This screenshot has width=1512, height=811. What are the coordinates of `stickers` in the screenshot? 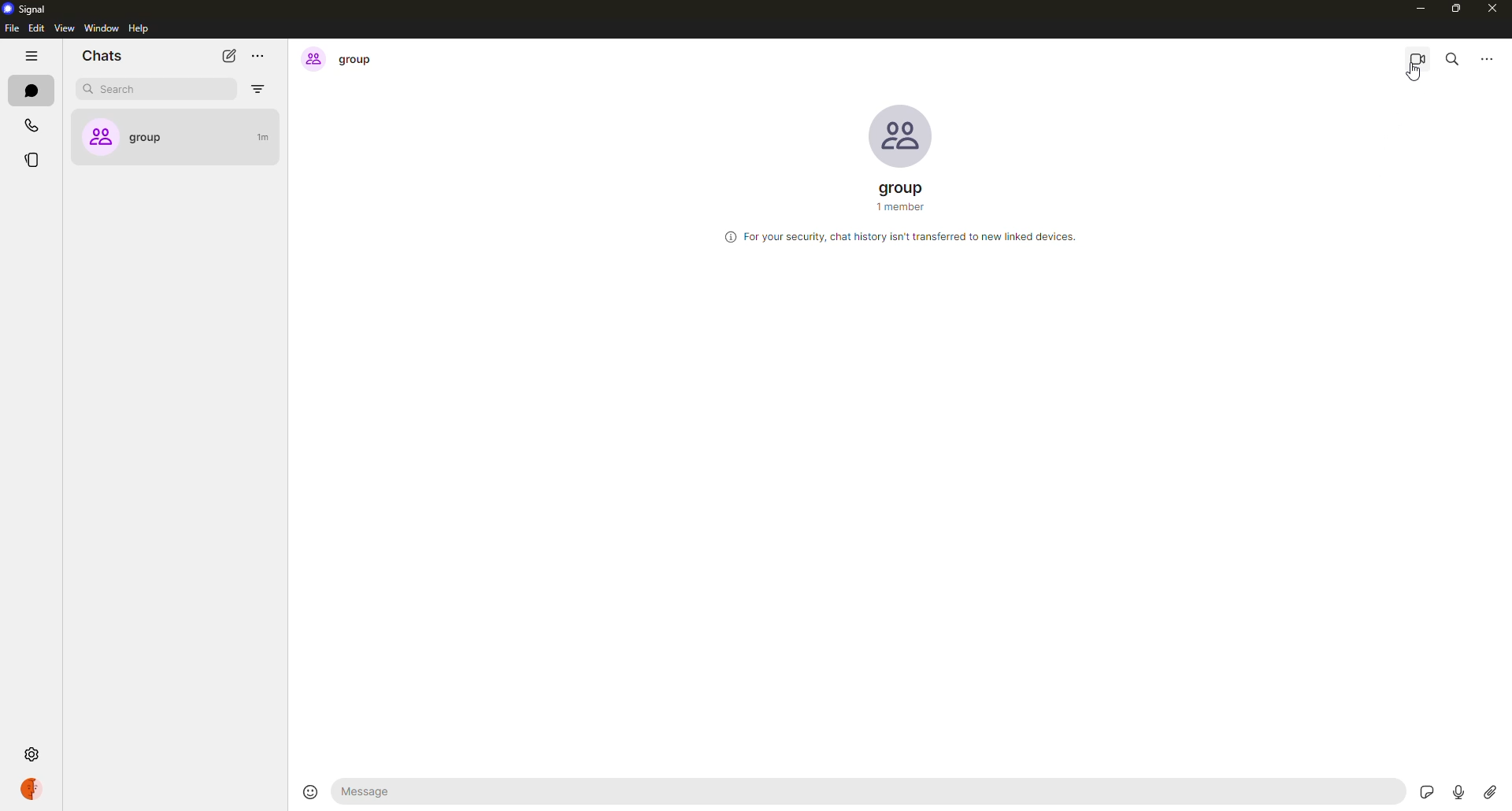 It's located at (1427, 789).